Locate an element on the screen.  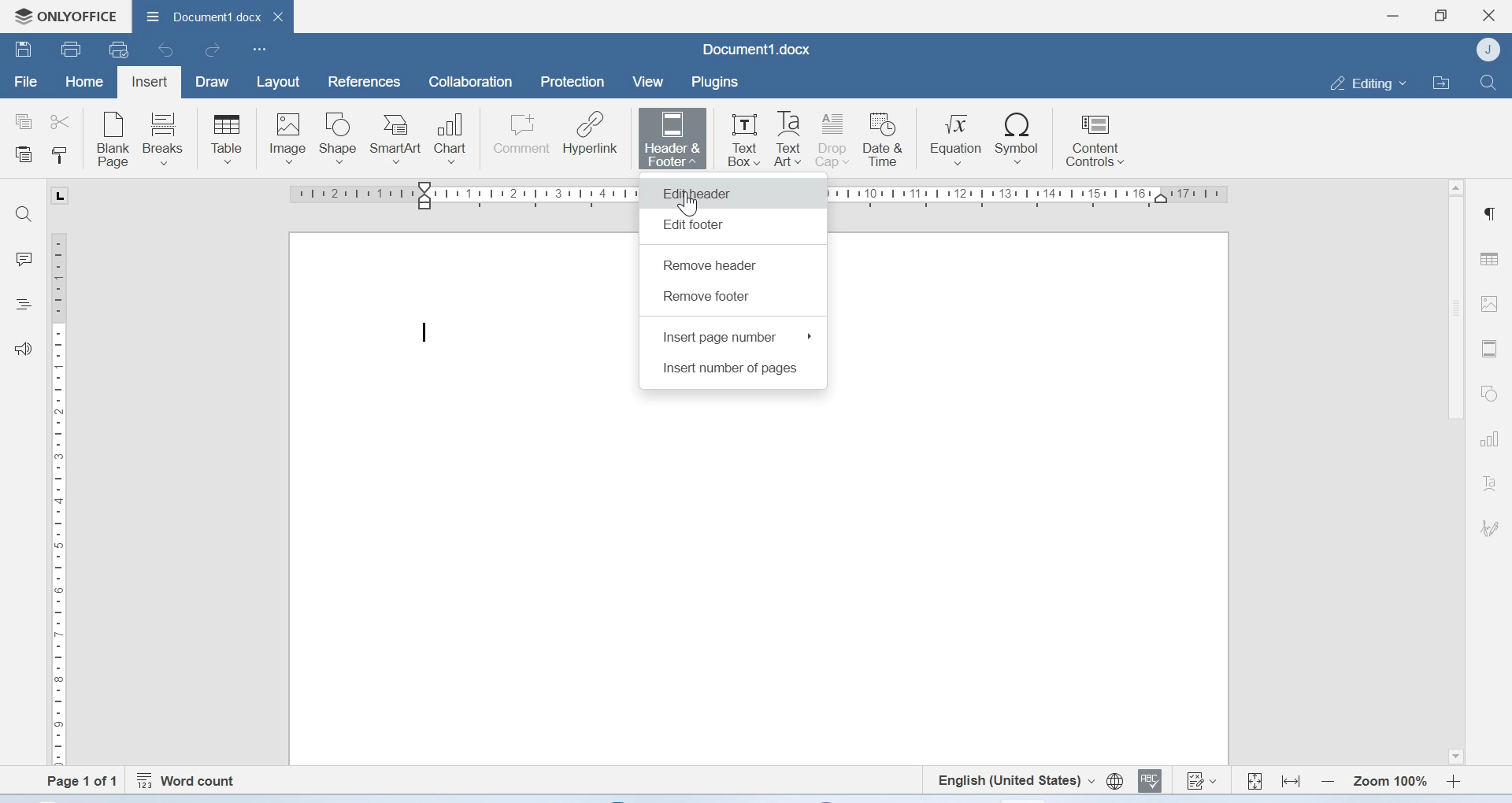
Account is located at coordinates (1488, 50).